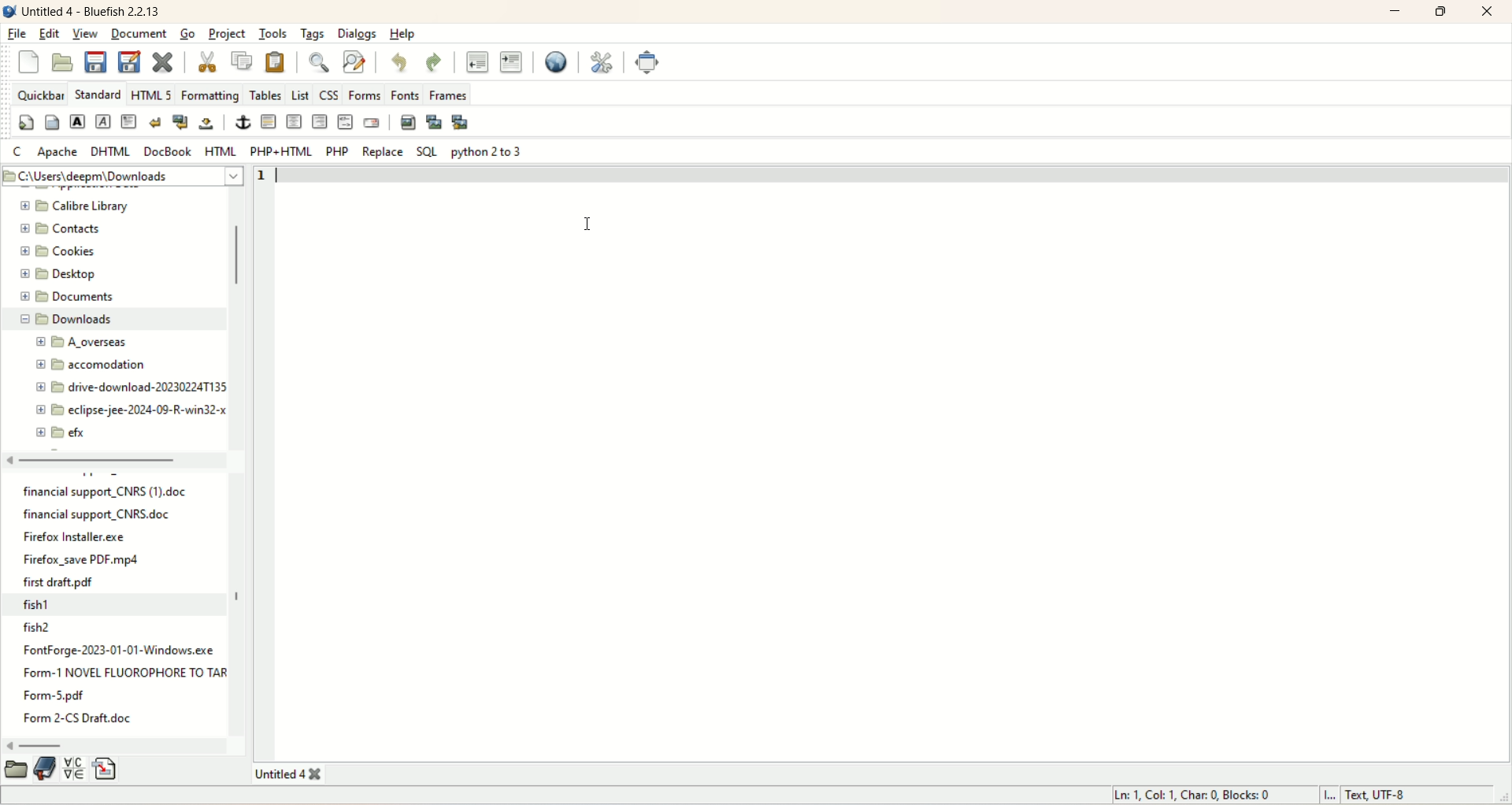 The image size is (1512, 805). What do you see at coordinates (345, 121) in the screenshot?
I see `HTML comment` at bounding box center [345, 121].